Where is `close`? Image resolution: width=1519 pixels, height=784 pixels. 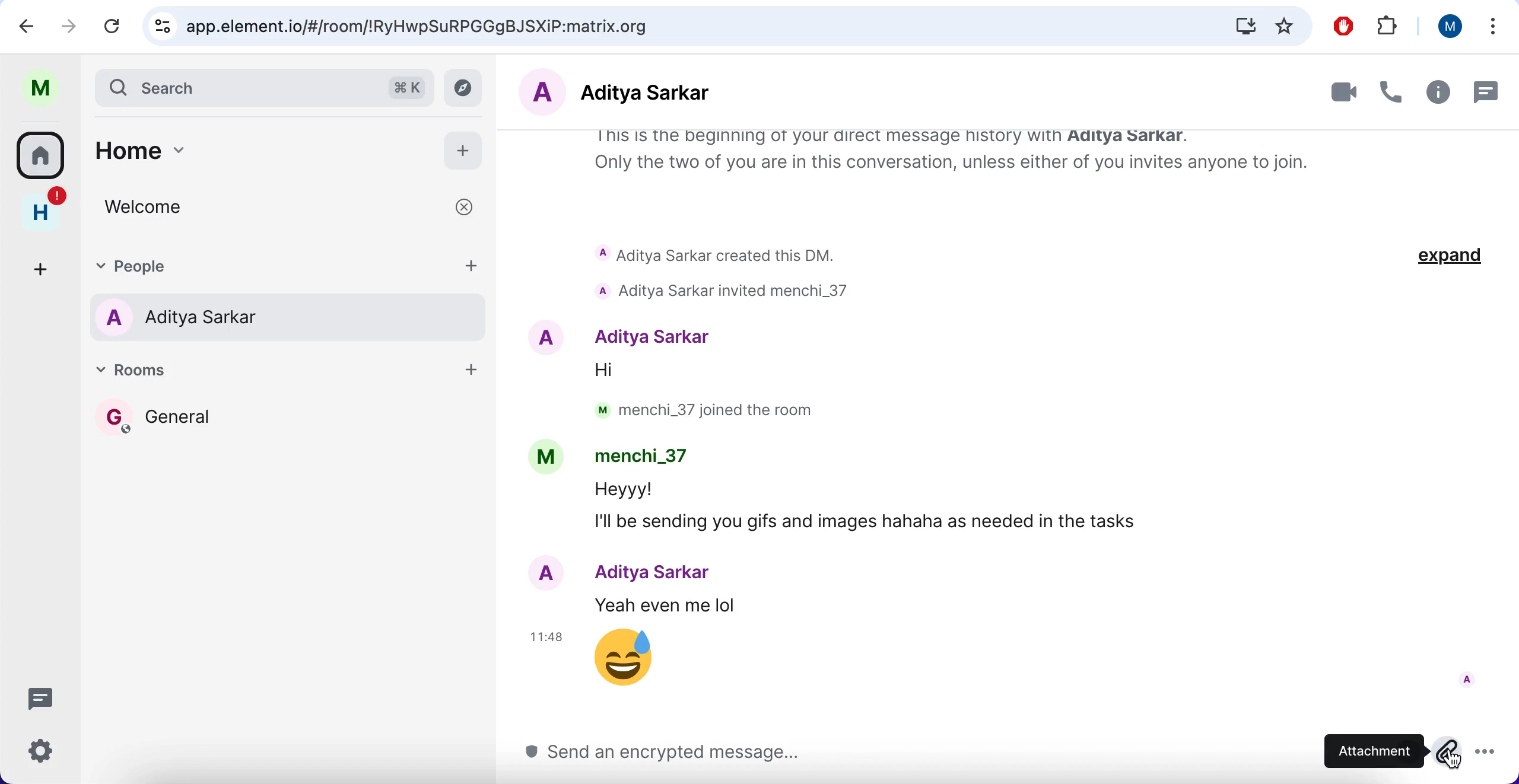 close is located at coordinates (465, 206).